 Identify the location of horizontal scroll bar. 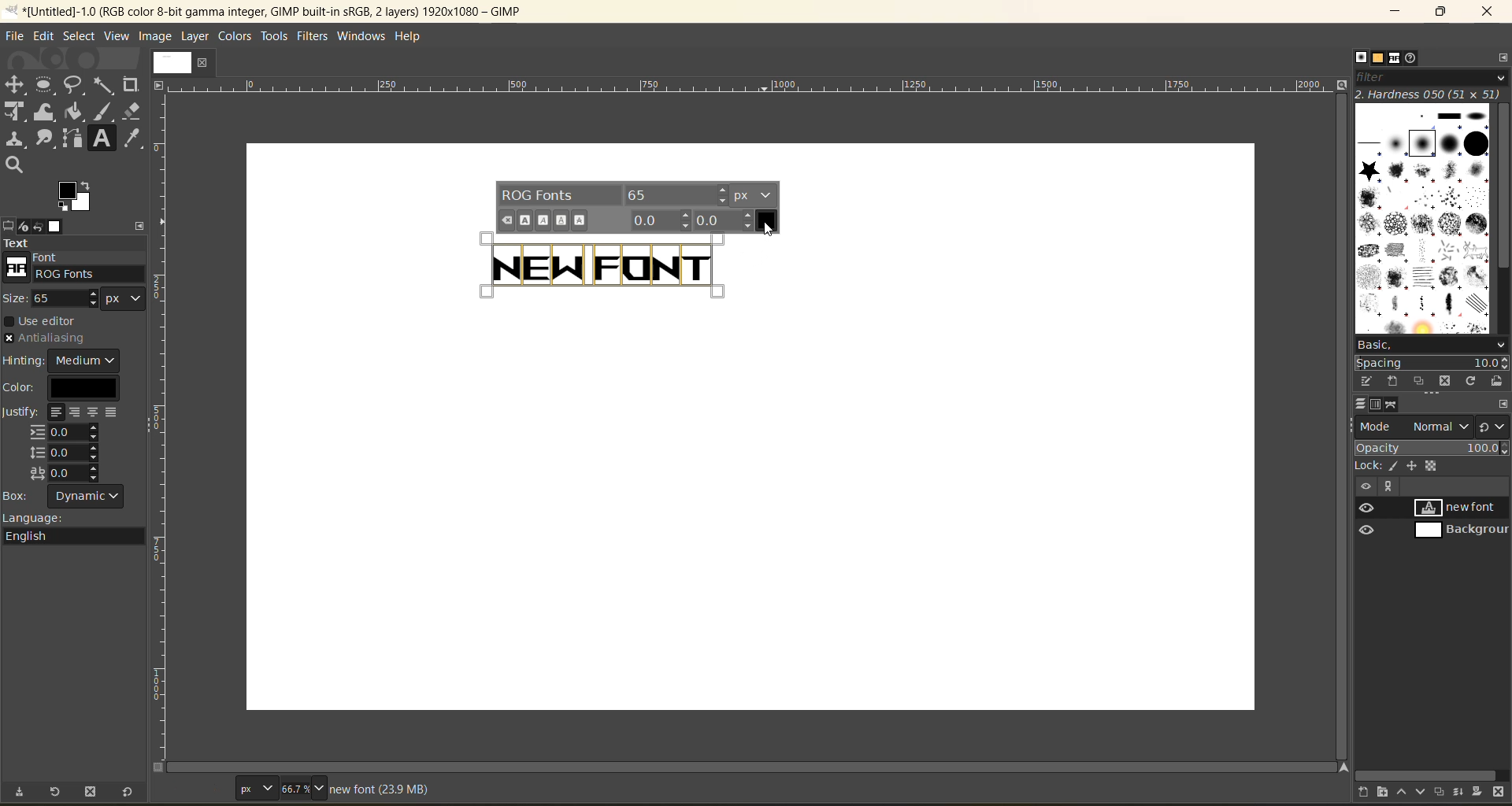
(1427, 775).